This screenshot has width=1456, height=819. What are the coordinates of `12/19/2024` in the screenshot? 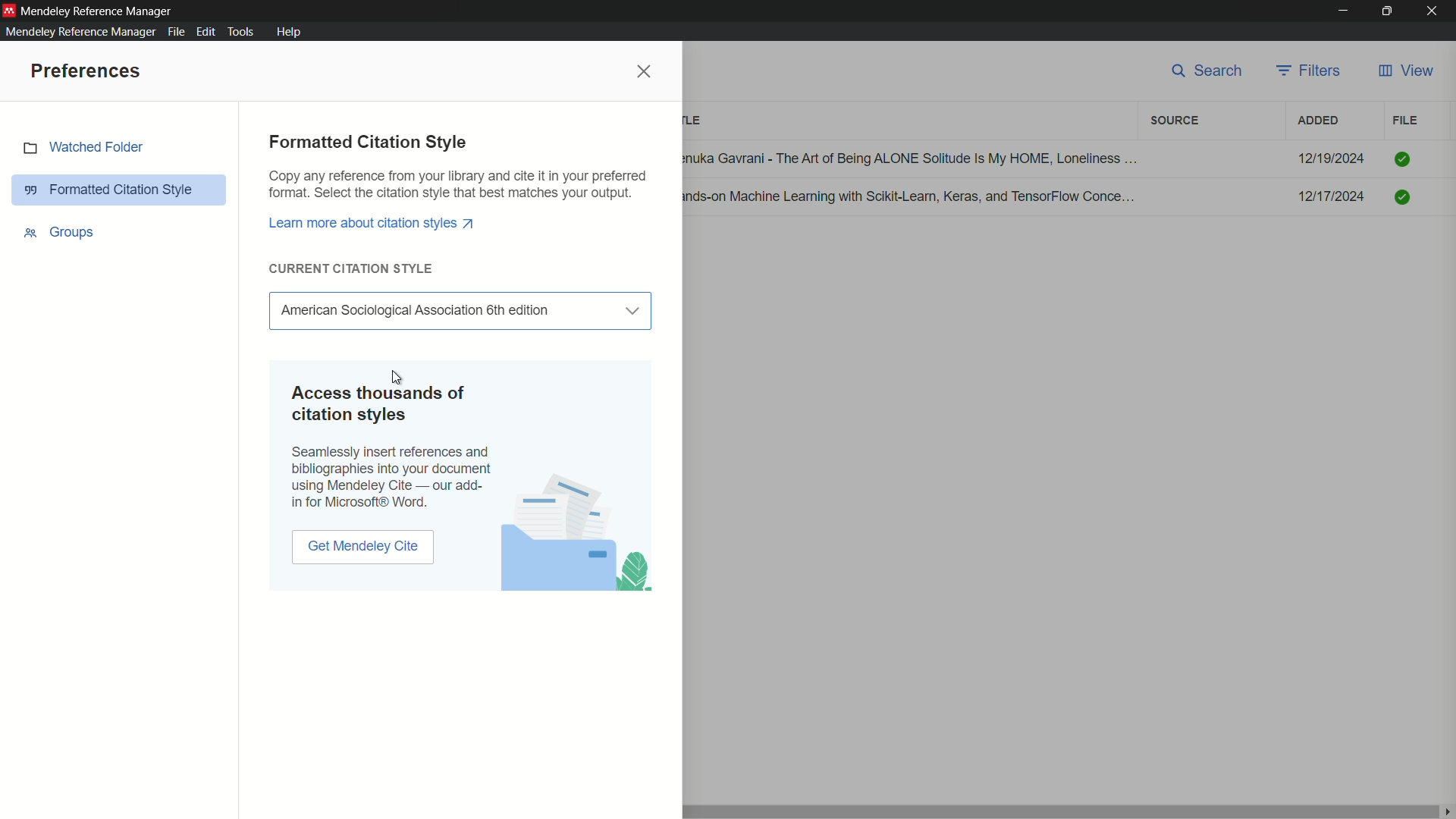 It's located at (1332, 158).